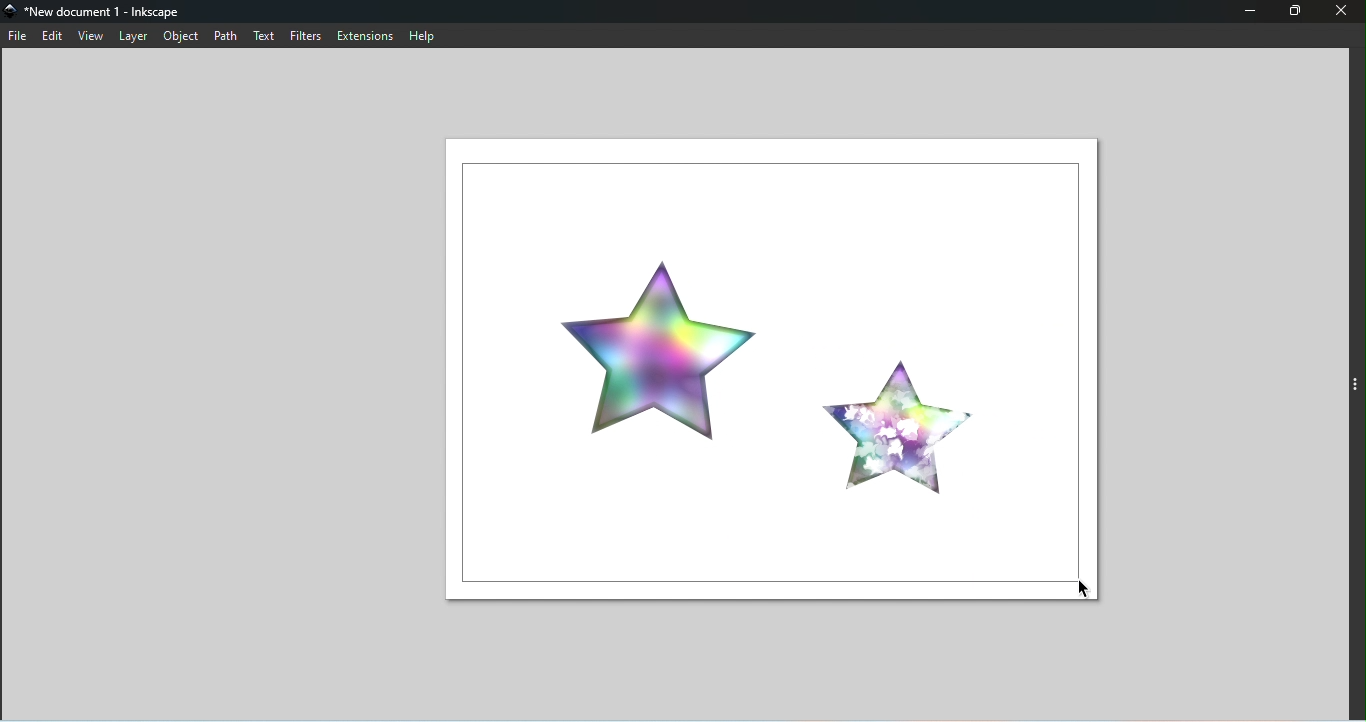 The image size is (1366, 722). Describe the element at coordinates (17, 37) in the screenshot. I see `File` at that location.